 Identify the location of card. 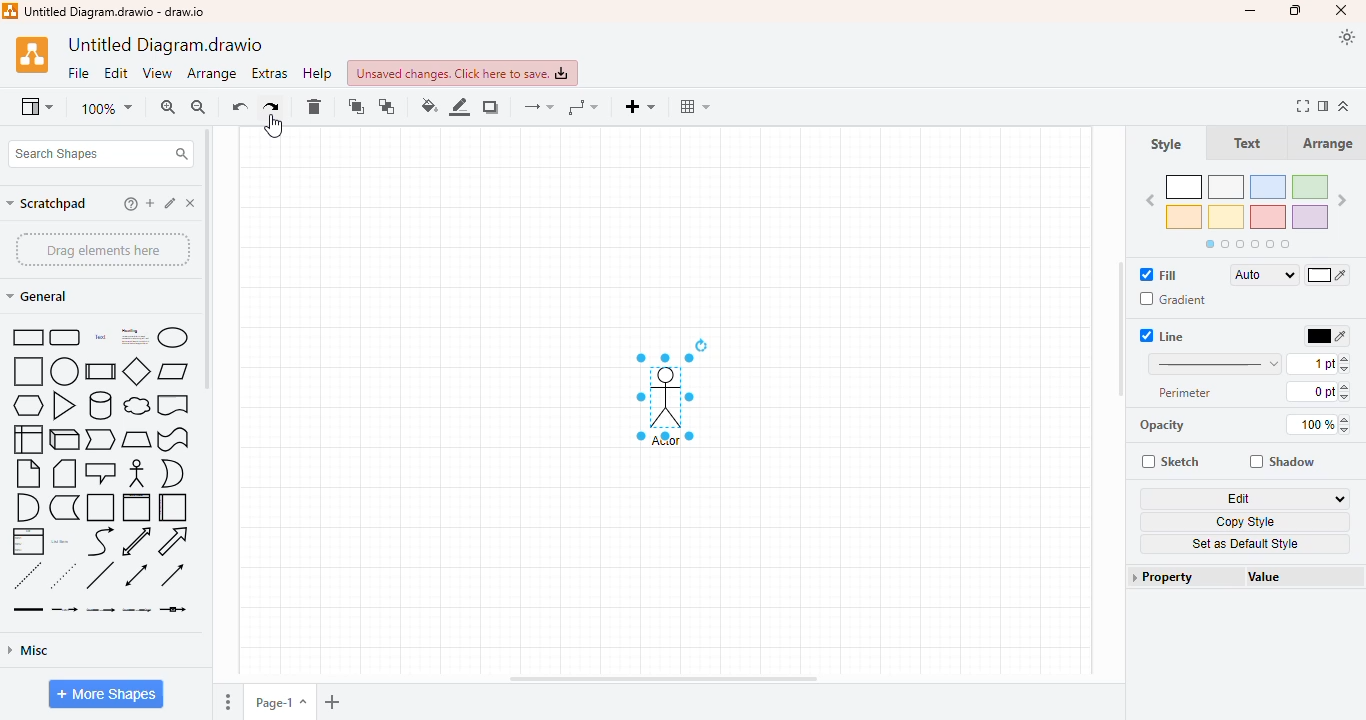
(64, 474).